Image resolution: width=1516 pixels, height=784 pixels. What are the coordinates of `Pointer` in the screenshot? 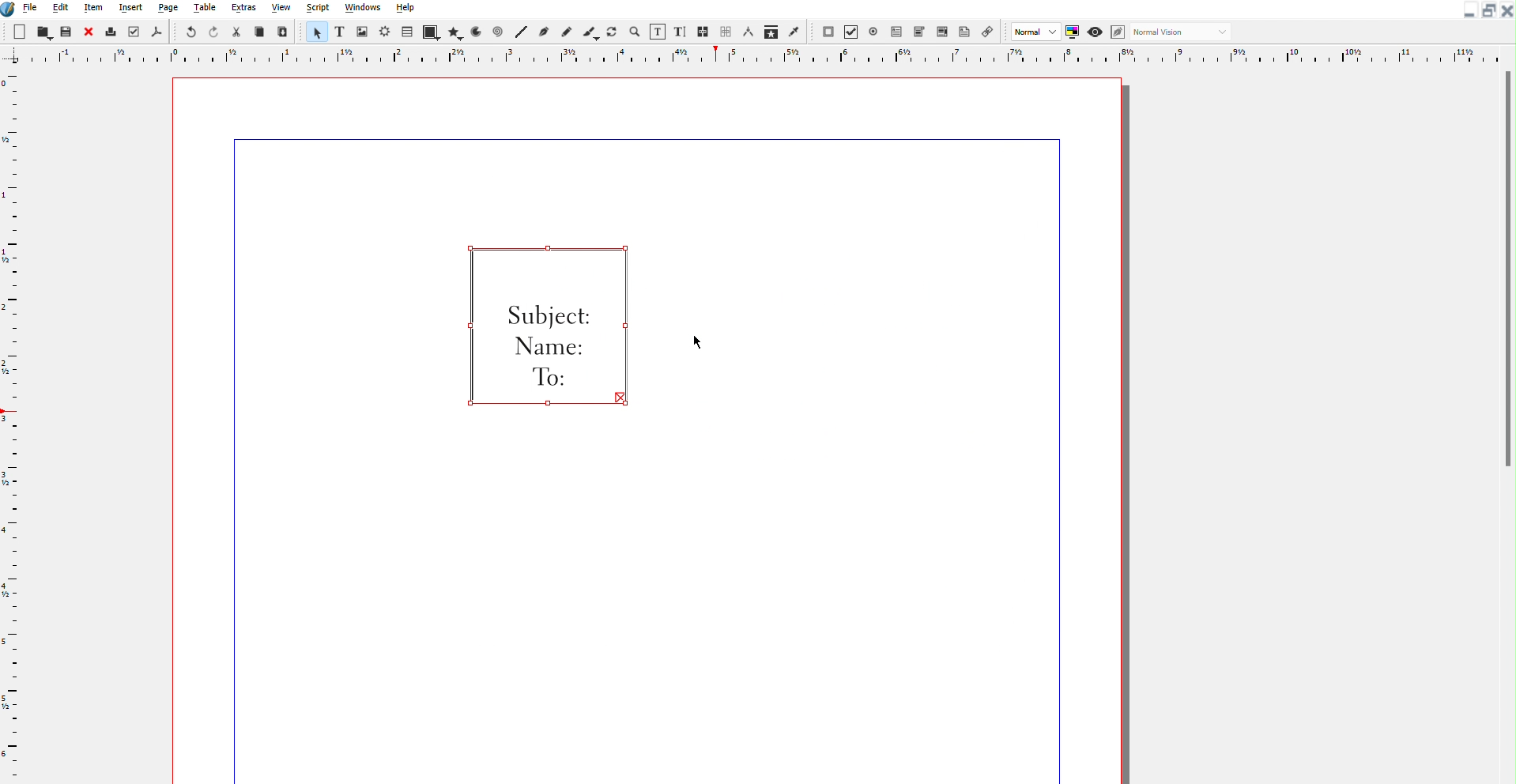 It's located at (315, 31).